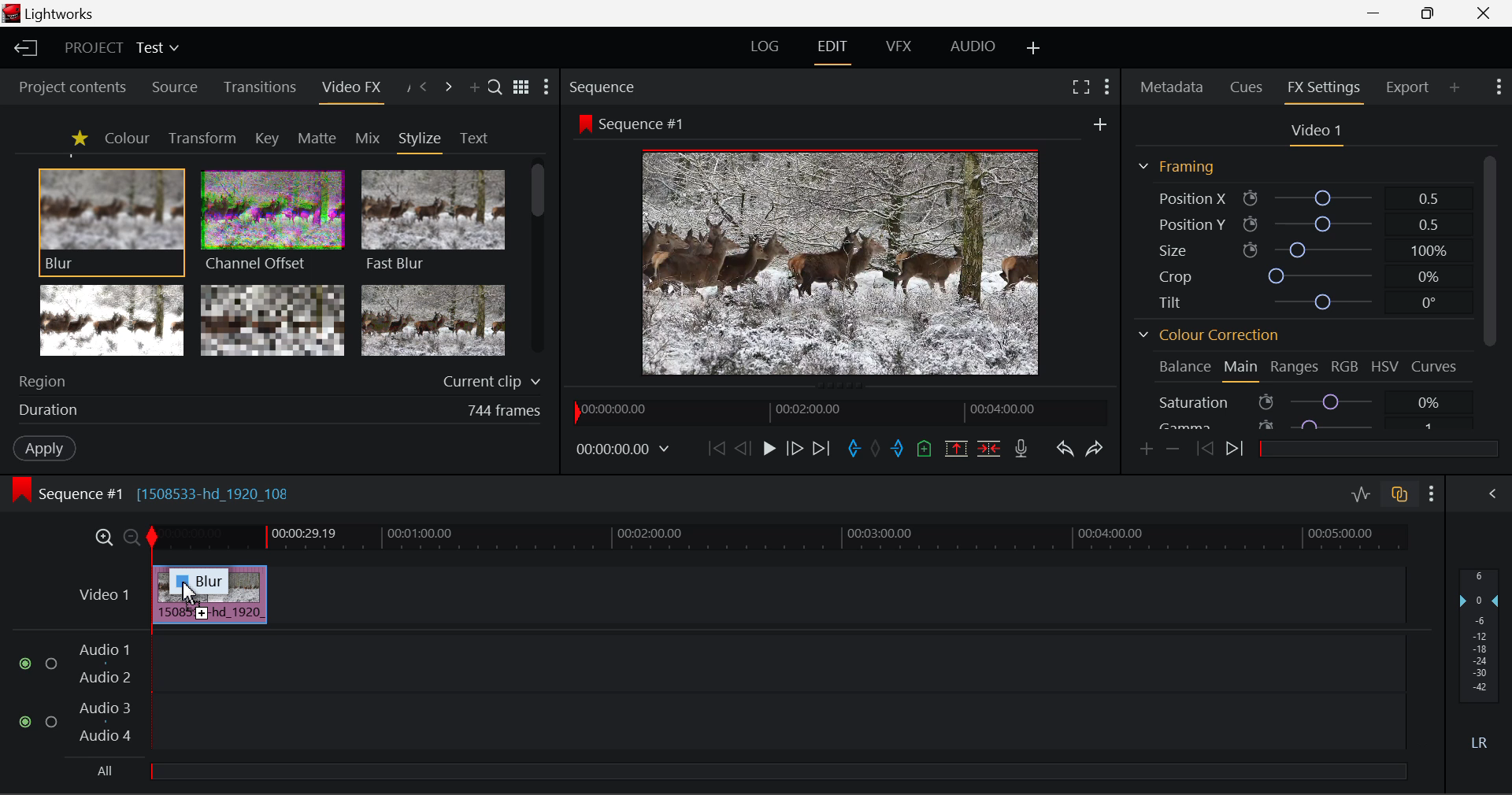 This screenshot has height=795, width=1512. I want to click on Timeline Zoom Out, so click(131, 536).